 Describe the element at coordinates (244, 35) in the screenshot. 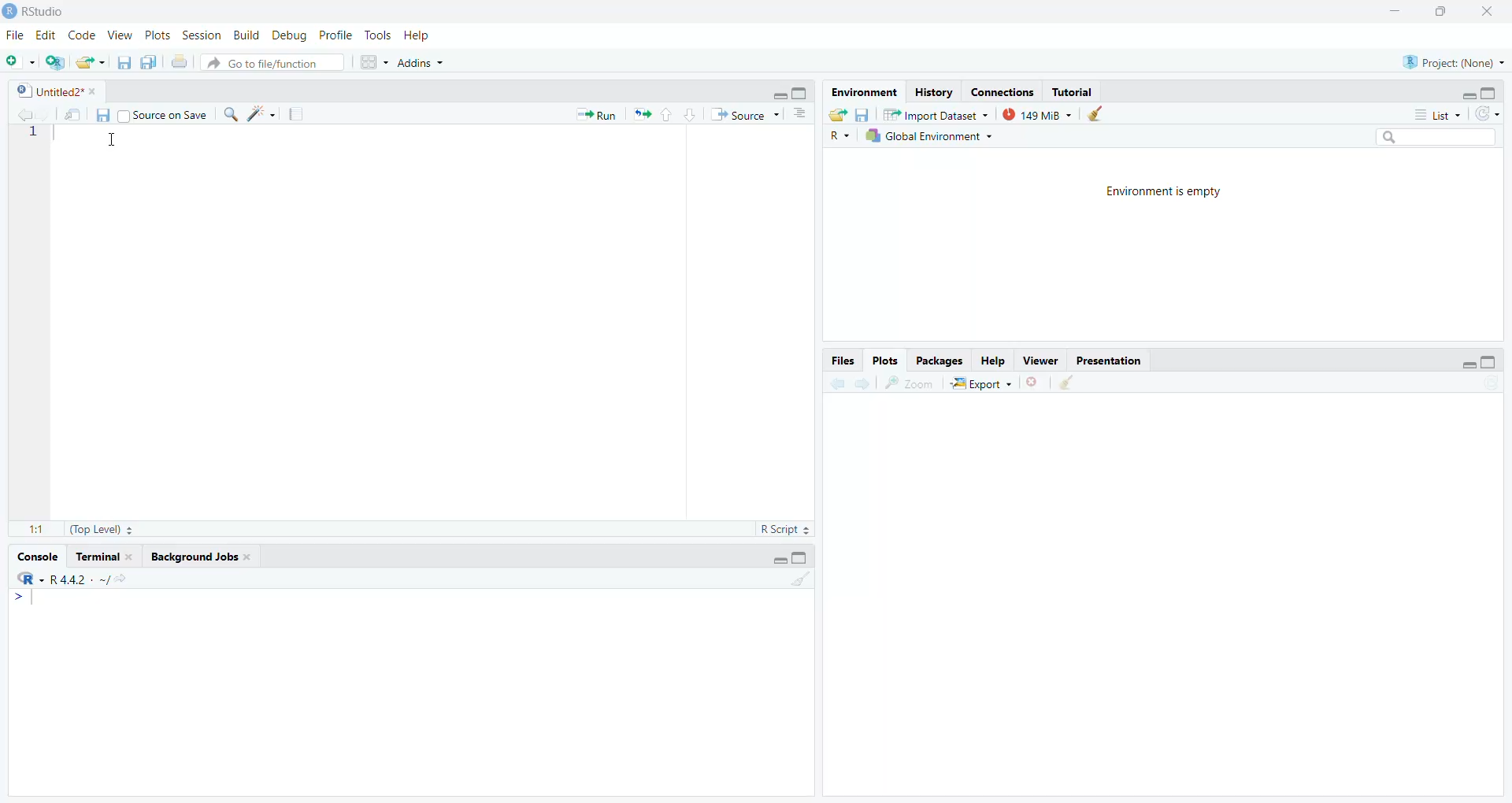

I see `Build` at that location.